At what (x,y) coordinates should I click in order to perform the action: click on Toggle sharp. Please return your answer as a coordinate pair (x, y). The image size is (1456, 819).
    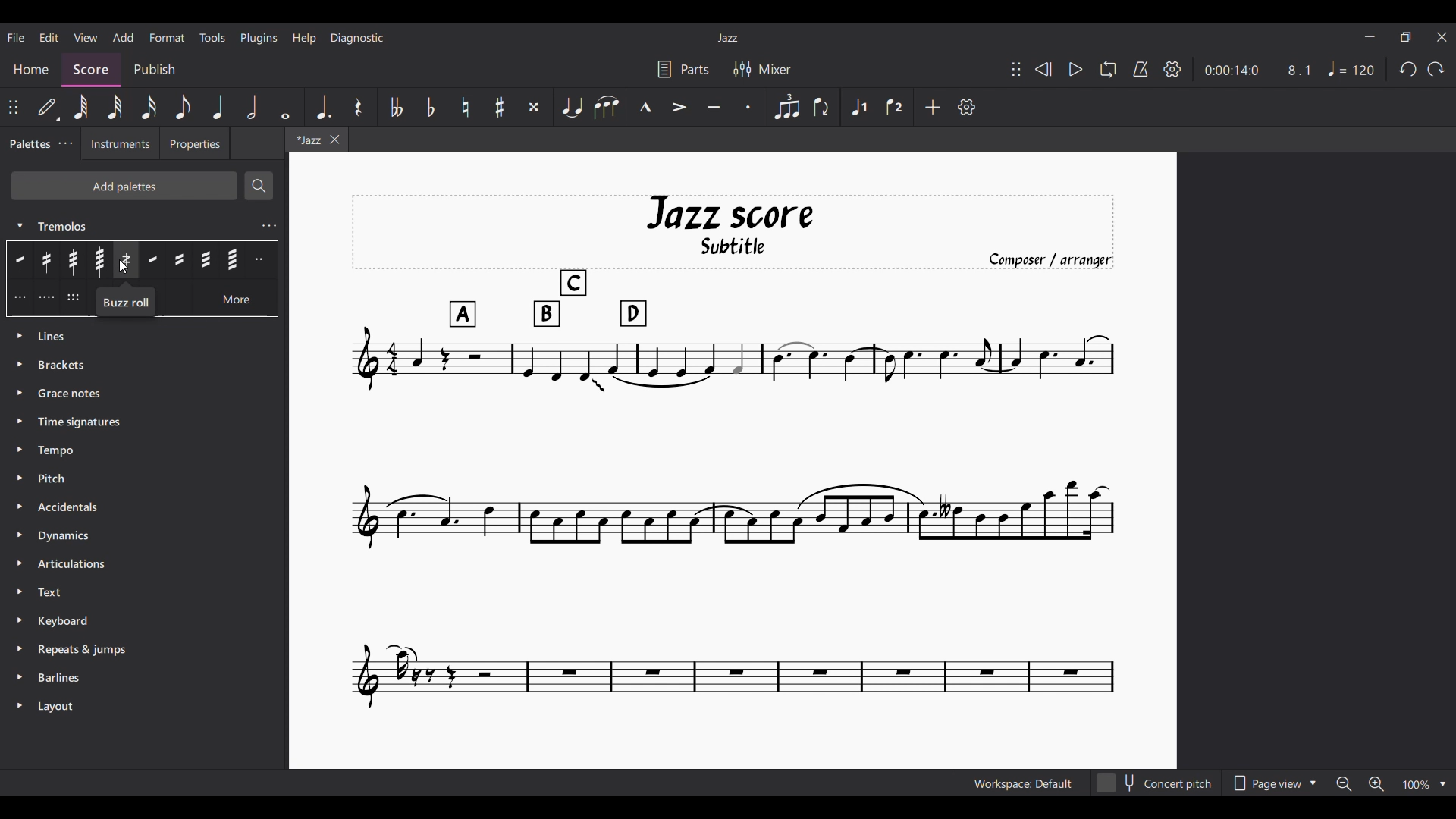
    Looking at the image, I should click on (500, 107).